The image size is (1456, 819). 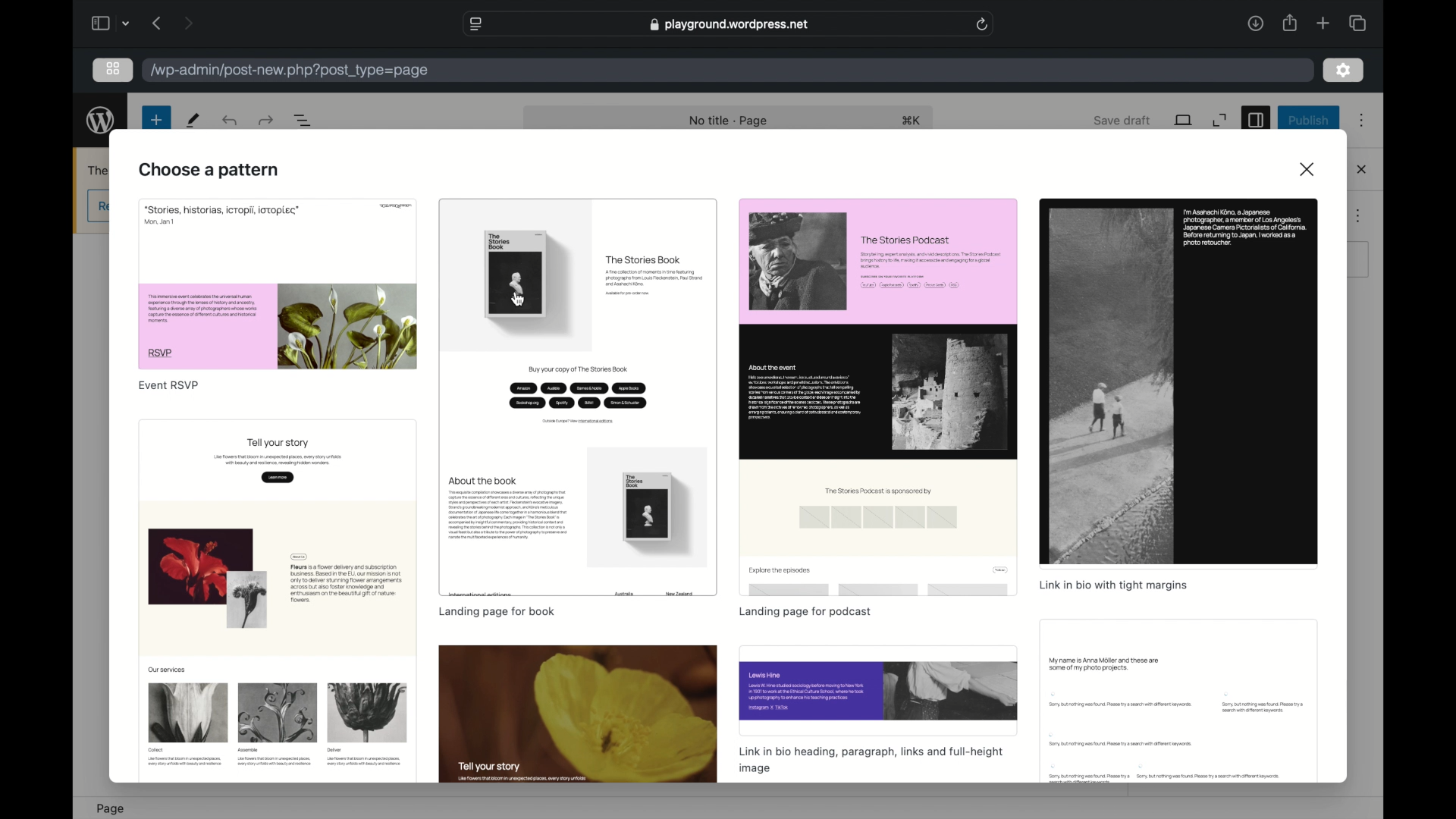 I want to click on show sidebar, so click(x=100, y=23).